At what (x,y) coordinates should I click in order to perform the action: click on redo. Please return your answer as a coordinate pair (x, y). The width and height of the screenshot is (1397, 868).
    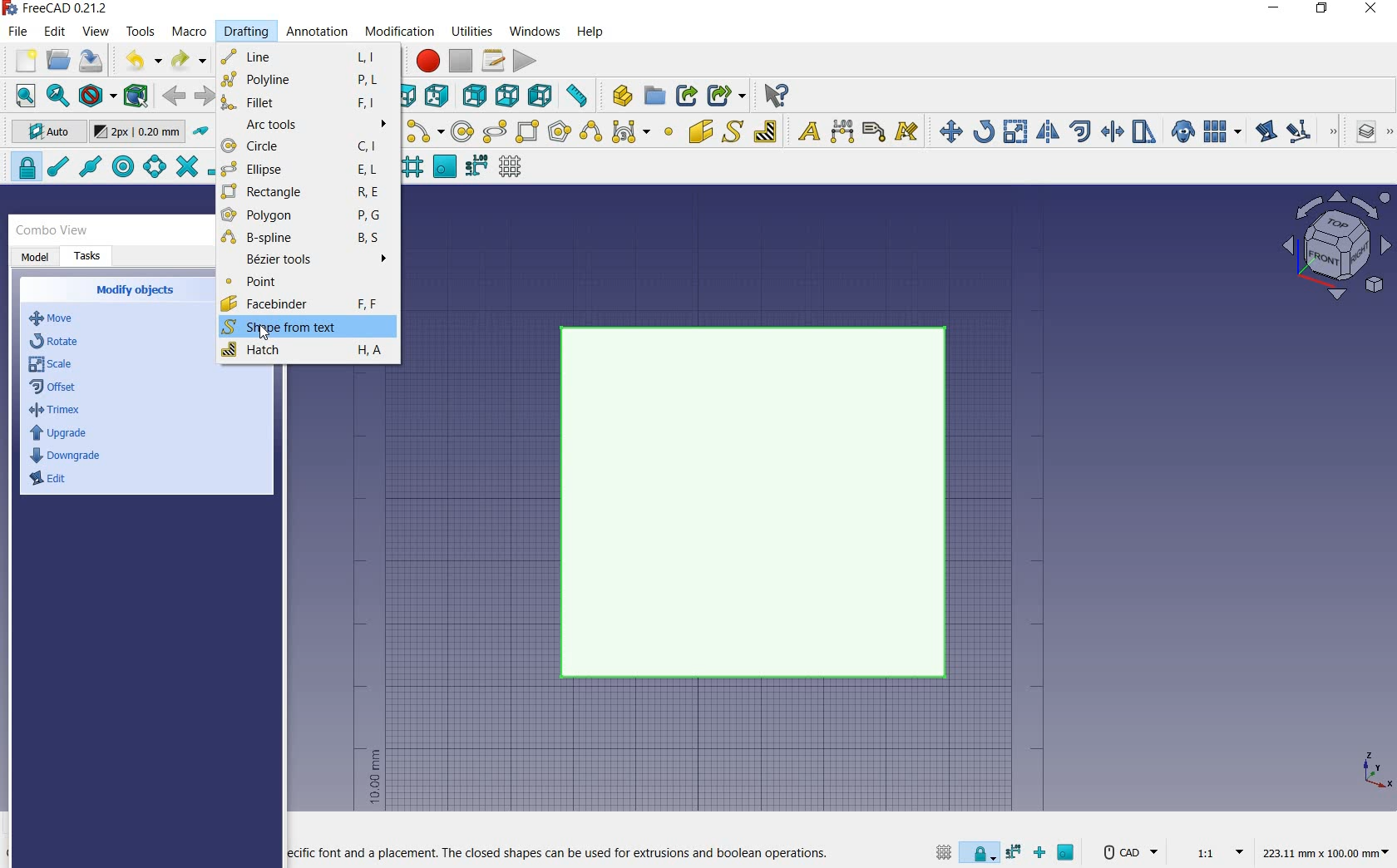
    Looking at the image, I should click on (189, 61).